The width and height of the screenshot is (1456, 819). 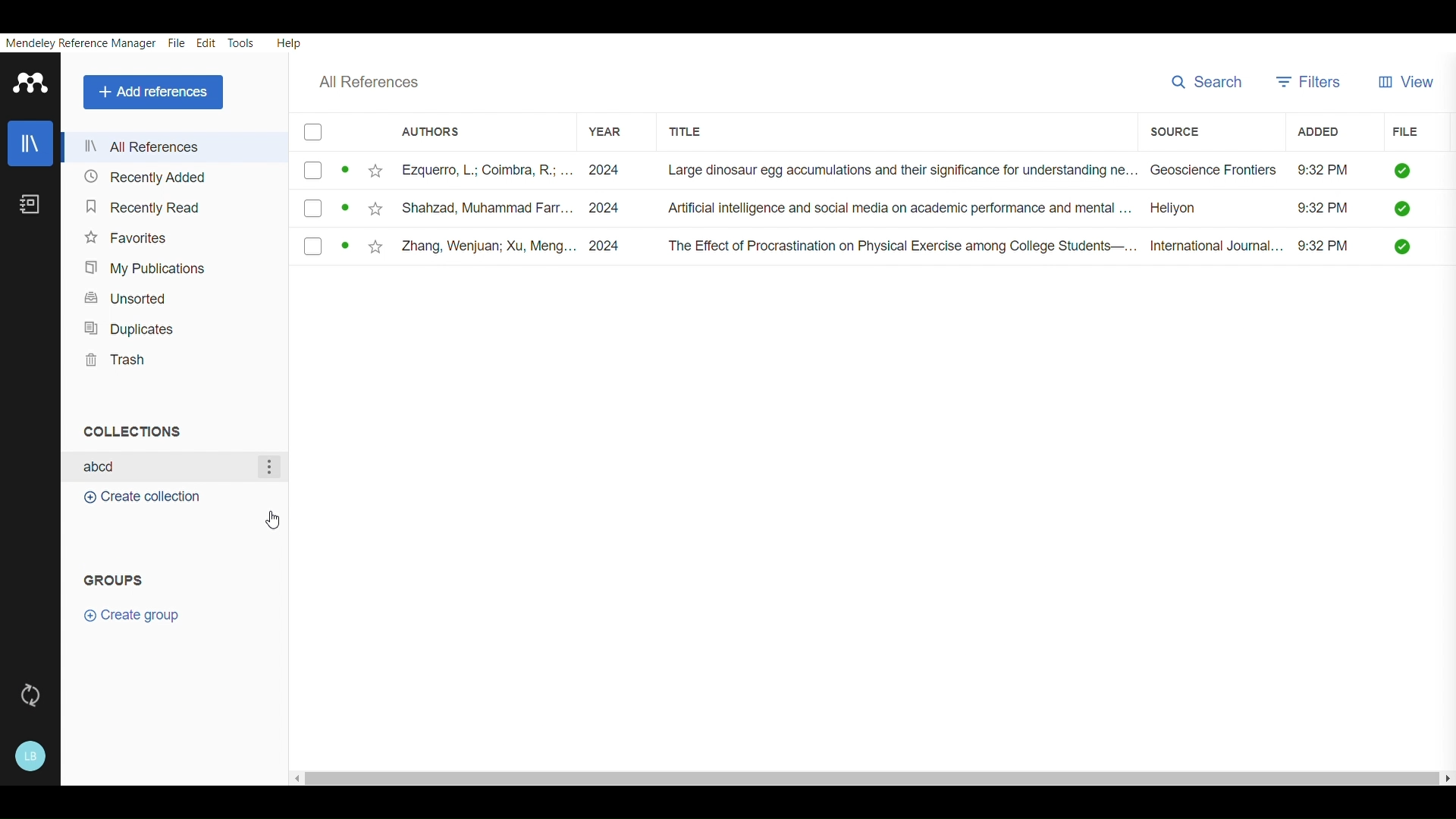 What do you see at coordinates (32, 754) in the screenshot?
I see `Account & help` at bounding box center [32, 754].